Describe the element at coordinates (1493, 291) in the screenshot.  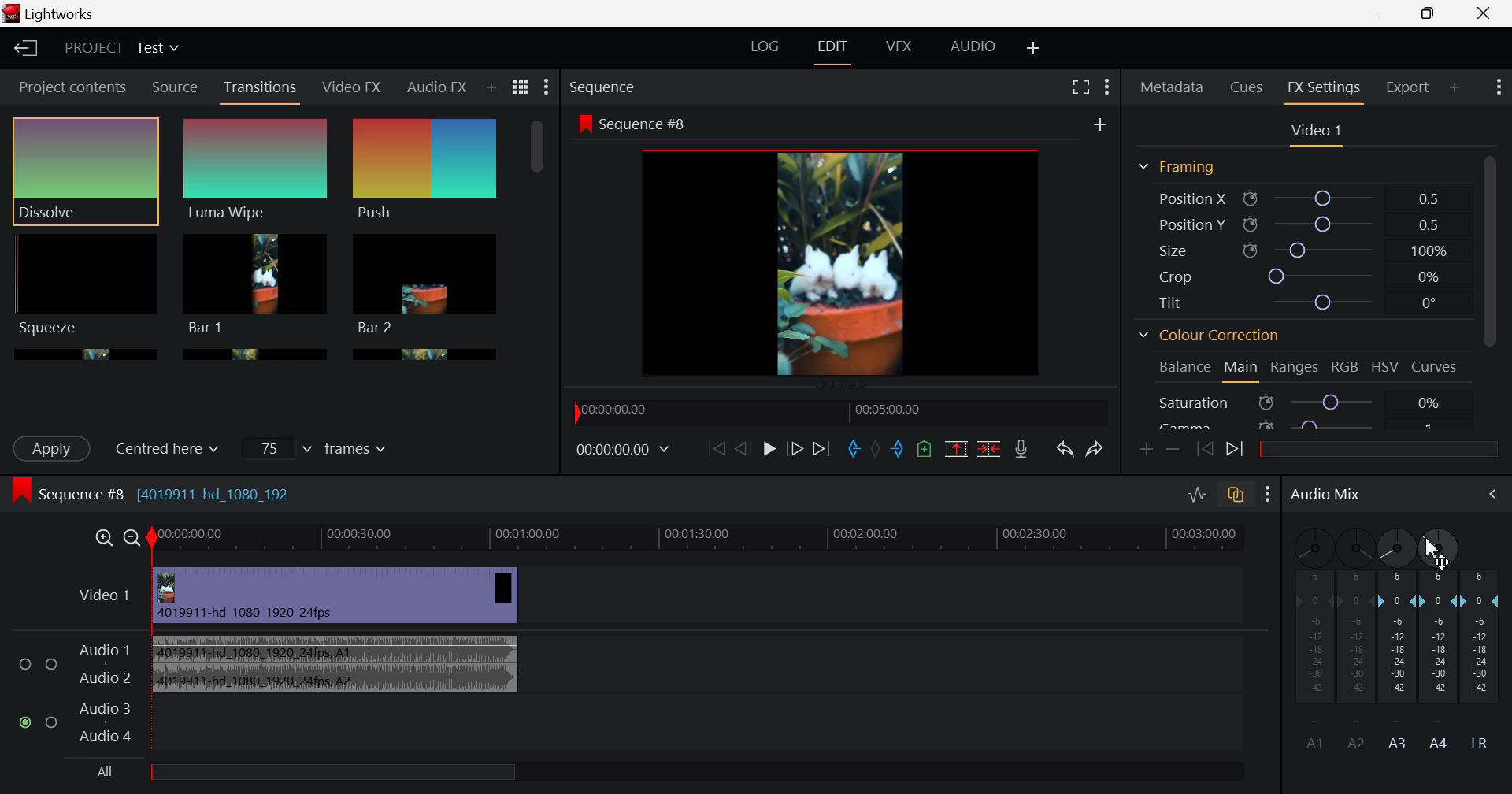
I see `Scroll Bar` at that location.